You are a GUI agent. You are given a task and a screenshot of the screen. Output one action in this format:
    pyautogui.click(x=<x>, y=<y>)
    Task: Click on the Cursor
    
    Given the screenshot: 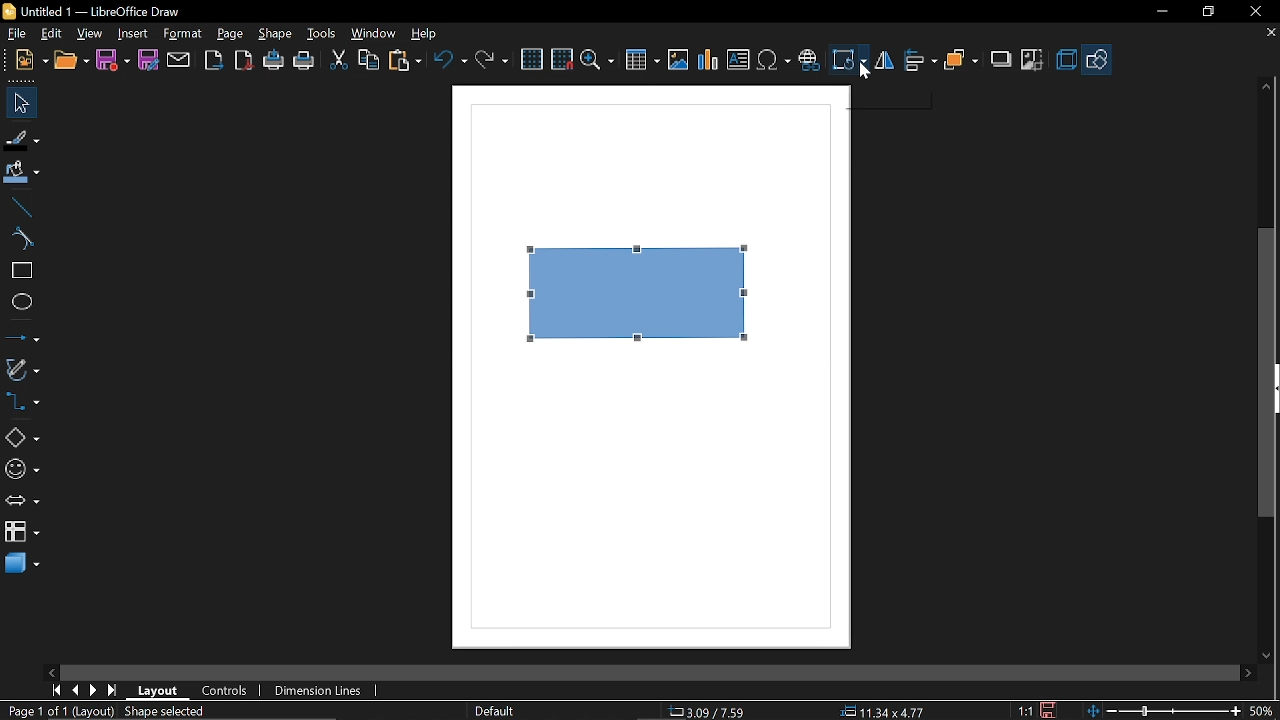 What is the action you would take?
    pyautogui.click(x=870, y=69)
    